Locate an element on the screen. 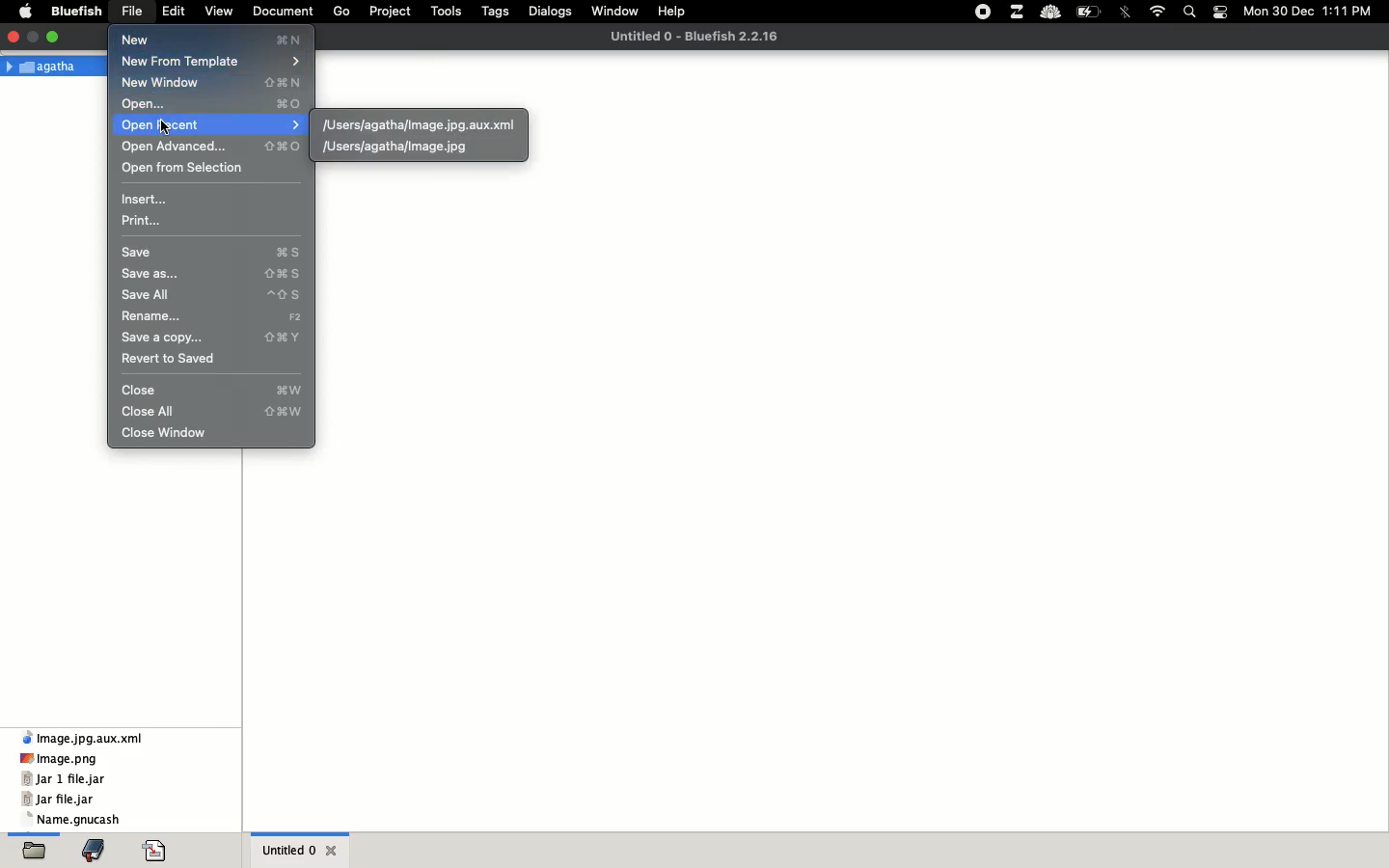 The image size is (1389, 868). /Users/agatha/image.jpg is located at coordinates (395, 147).